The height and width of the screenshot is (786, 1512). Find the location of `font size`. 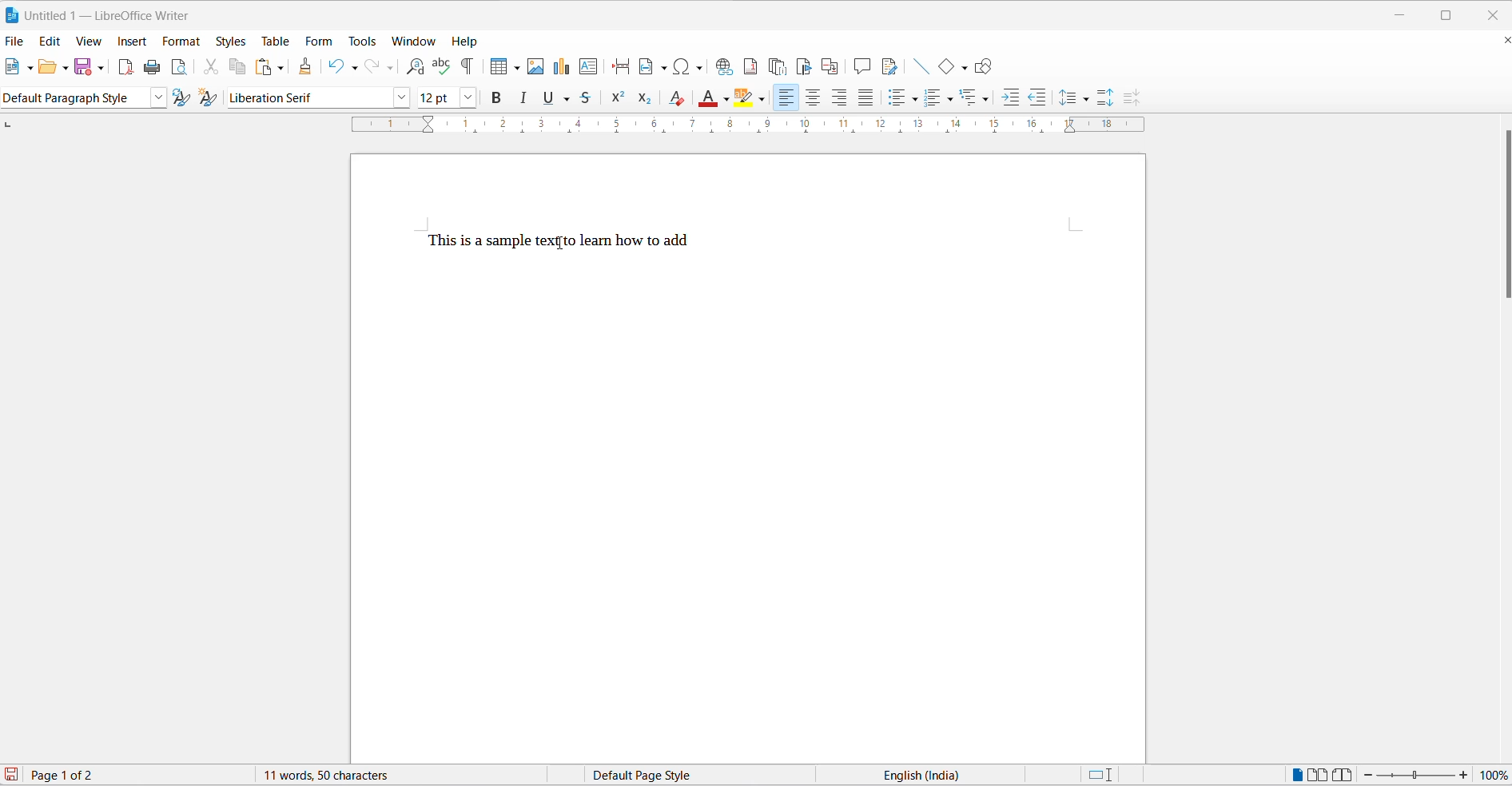

font size is located at coordinates (436, 98).